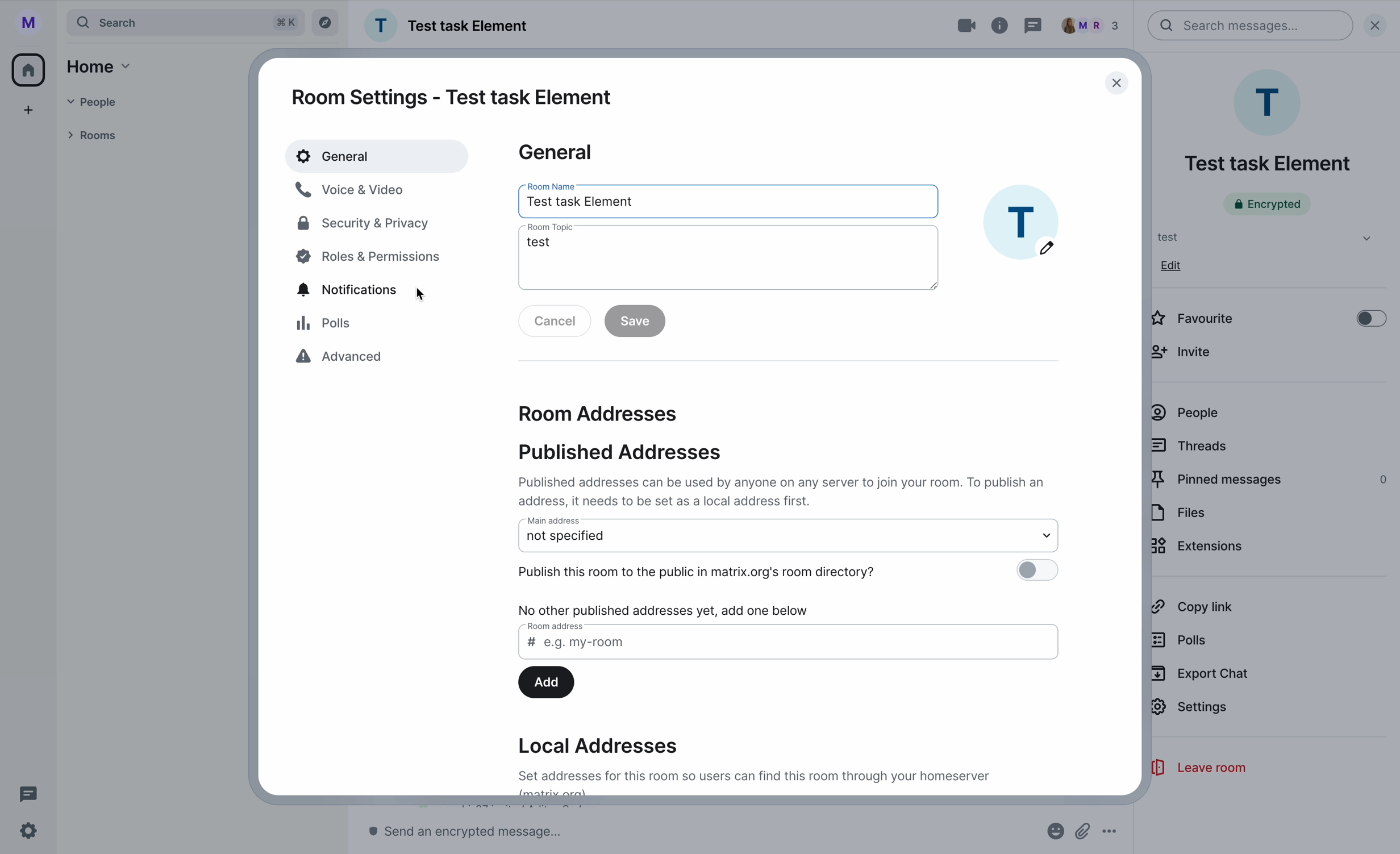 This screenshot has height=854, width=1400. Describe the element at coordinates (1197, 768) in the screenshot. I see `leave room` at that location.